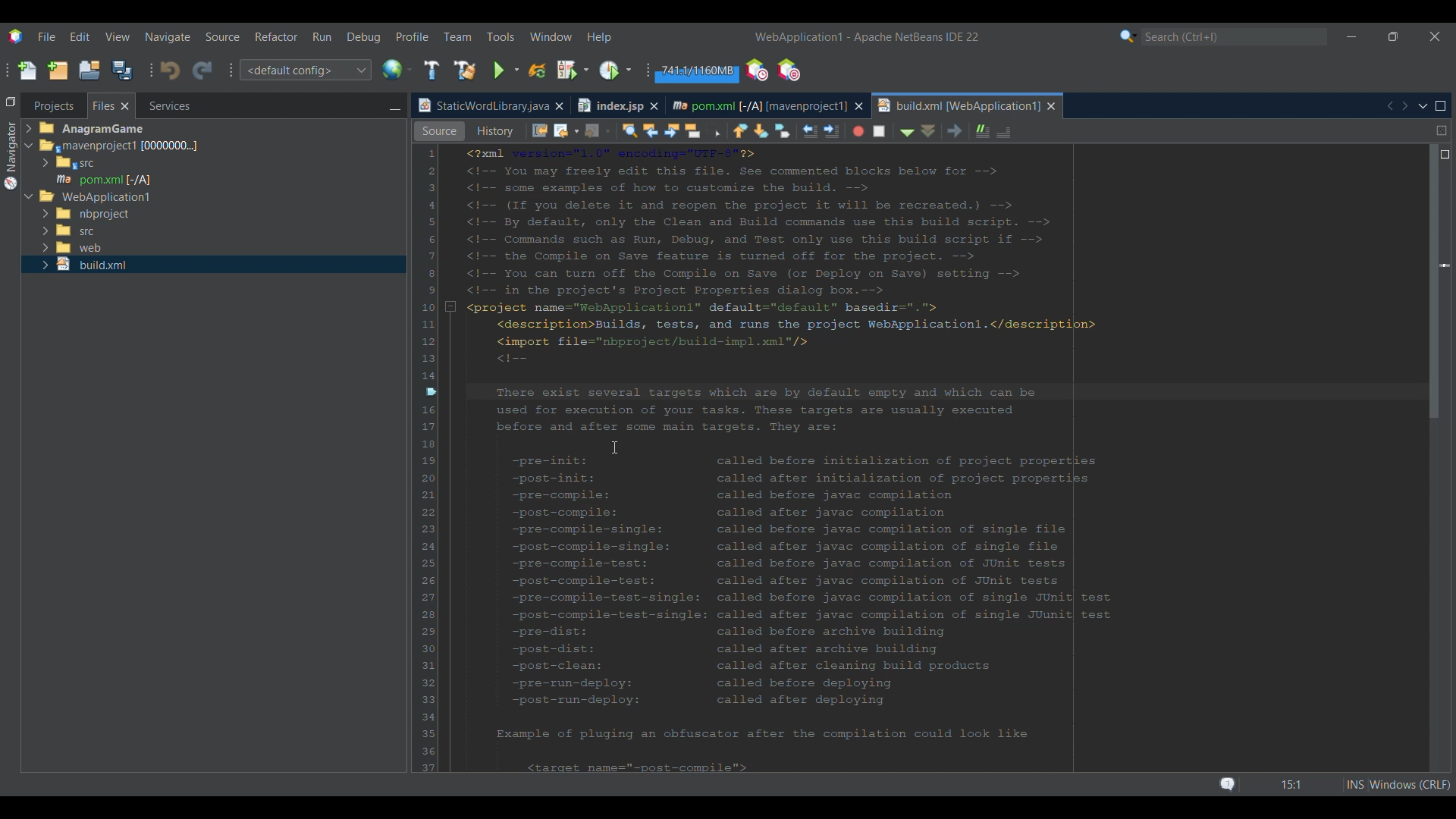 The width and height of the screenshot is (1456, 819). I want to click on Run main project options, so click(507, 71).